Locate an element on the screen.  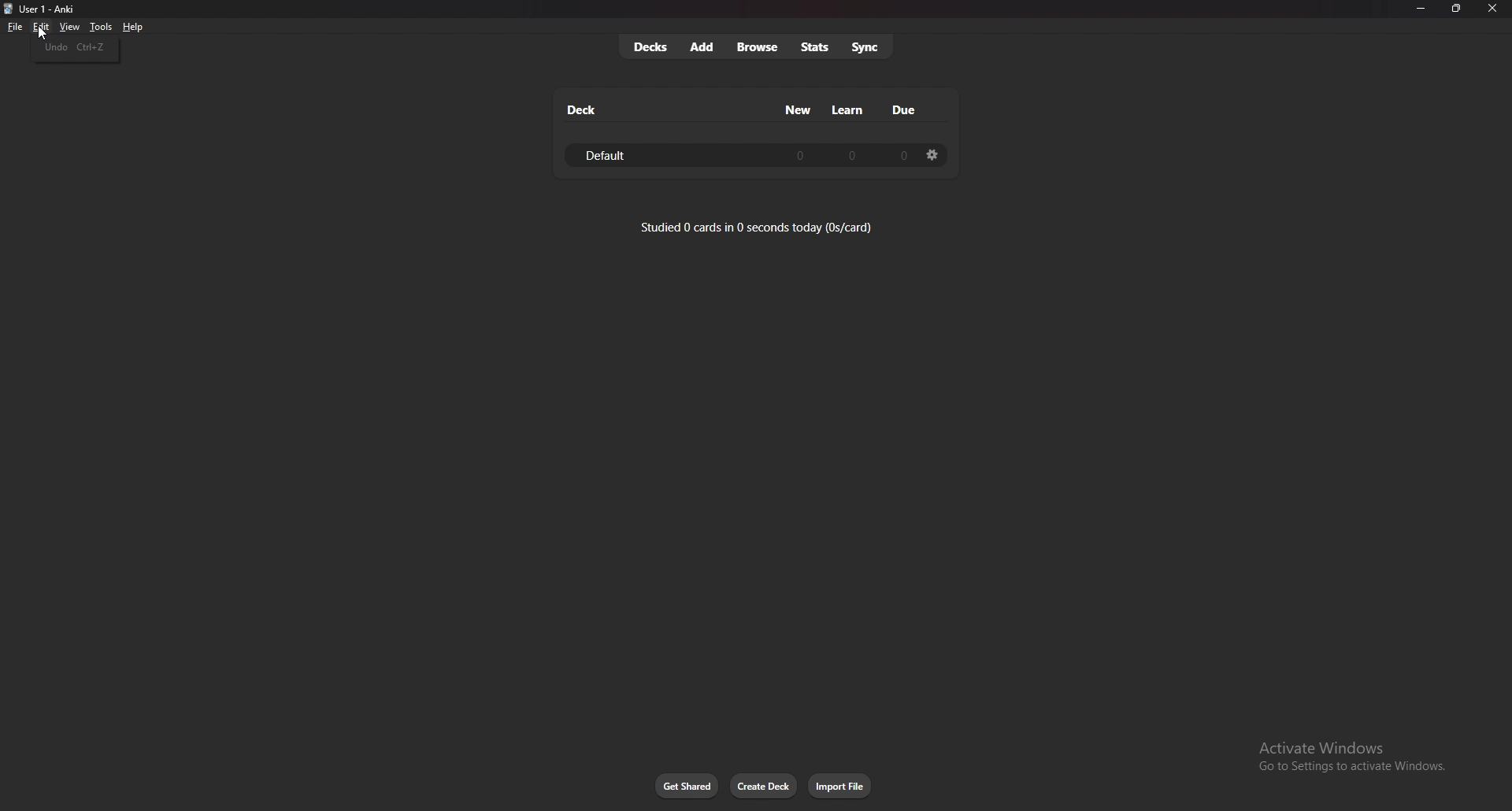
0 is located at coordinates (797, 156).